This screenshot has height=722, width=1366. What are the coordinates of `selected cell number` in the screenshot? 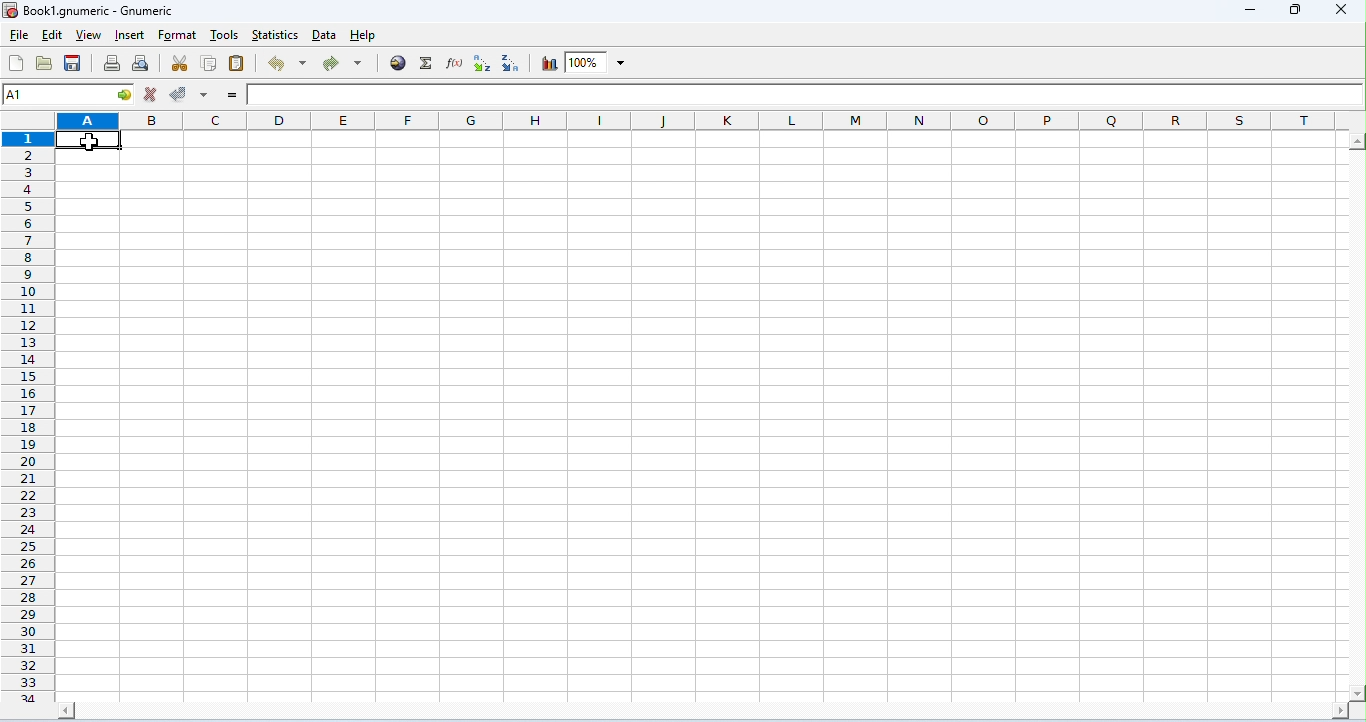 It's located at (57, 94).